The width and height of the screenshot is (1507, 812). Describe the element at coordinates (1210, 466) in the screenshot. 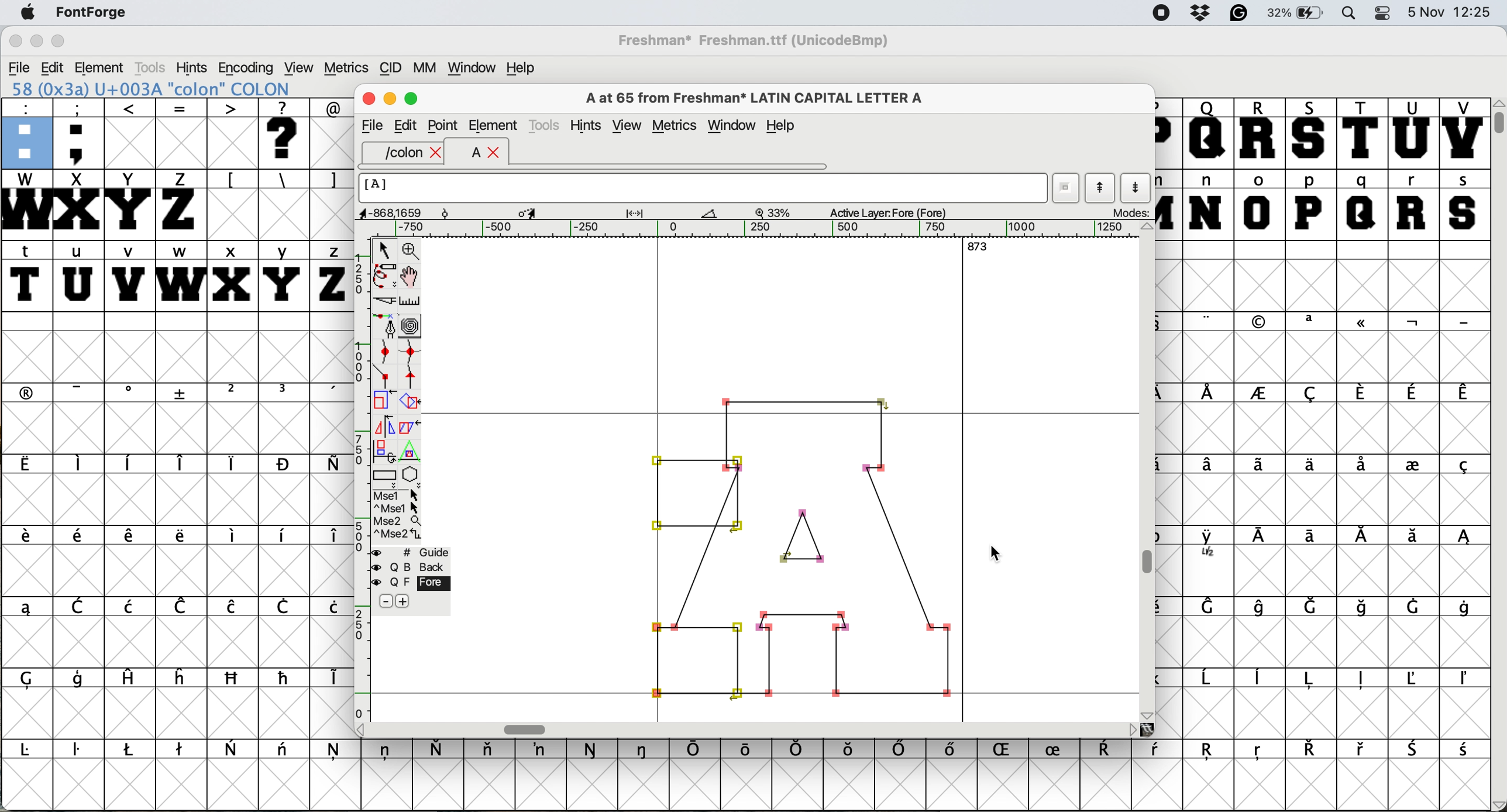

I see `symbol` at that location.